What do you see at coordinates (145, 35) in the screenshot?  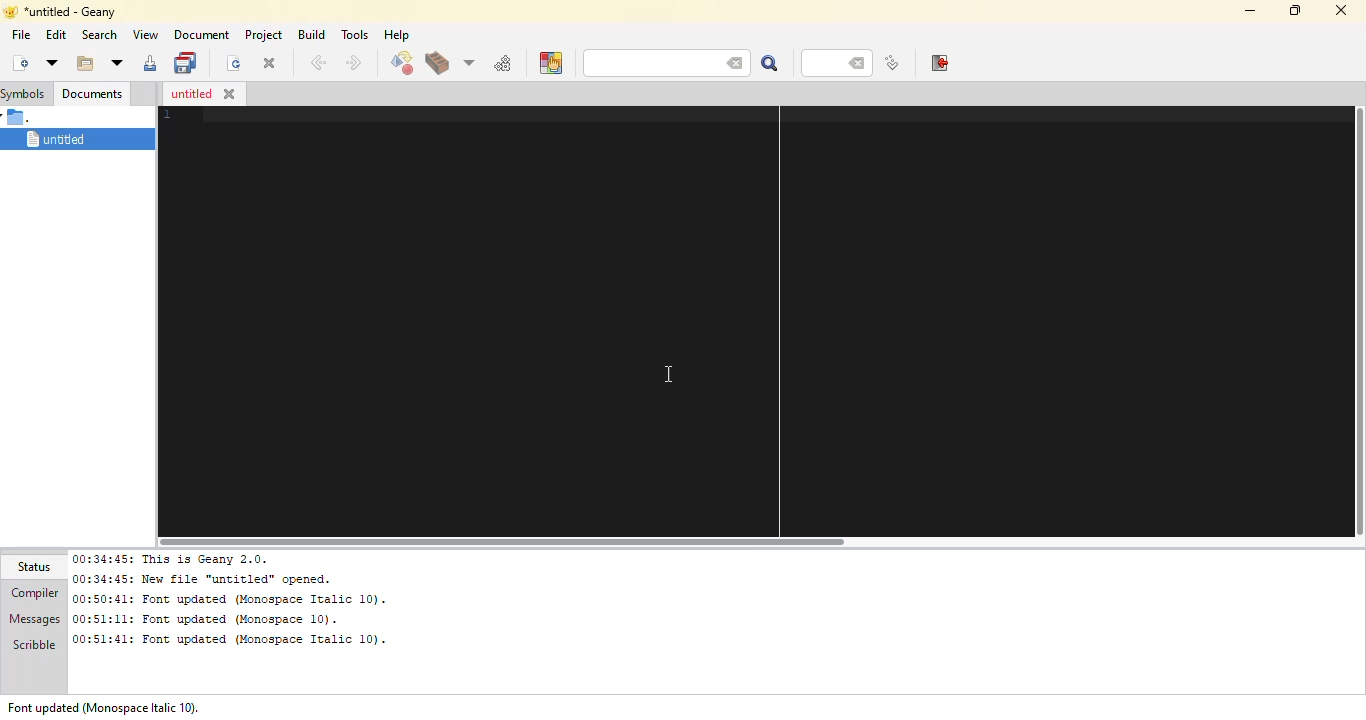 I see `view` at bounding box center [145, 35].